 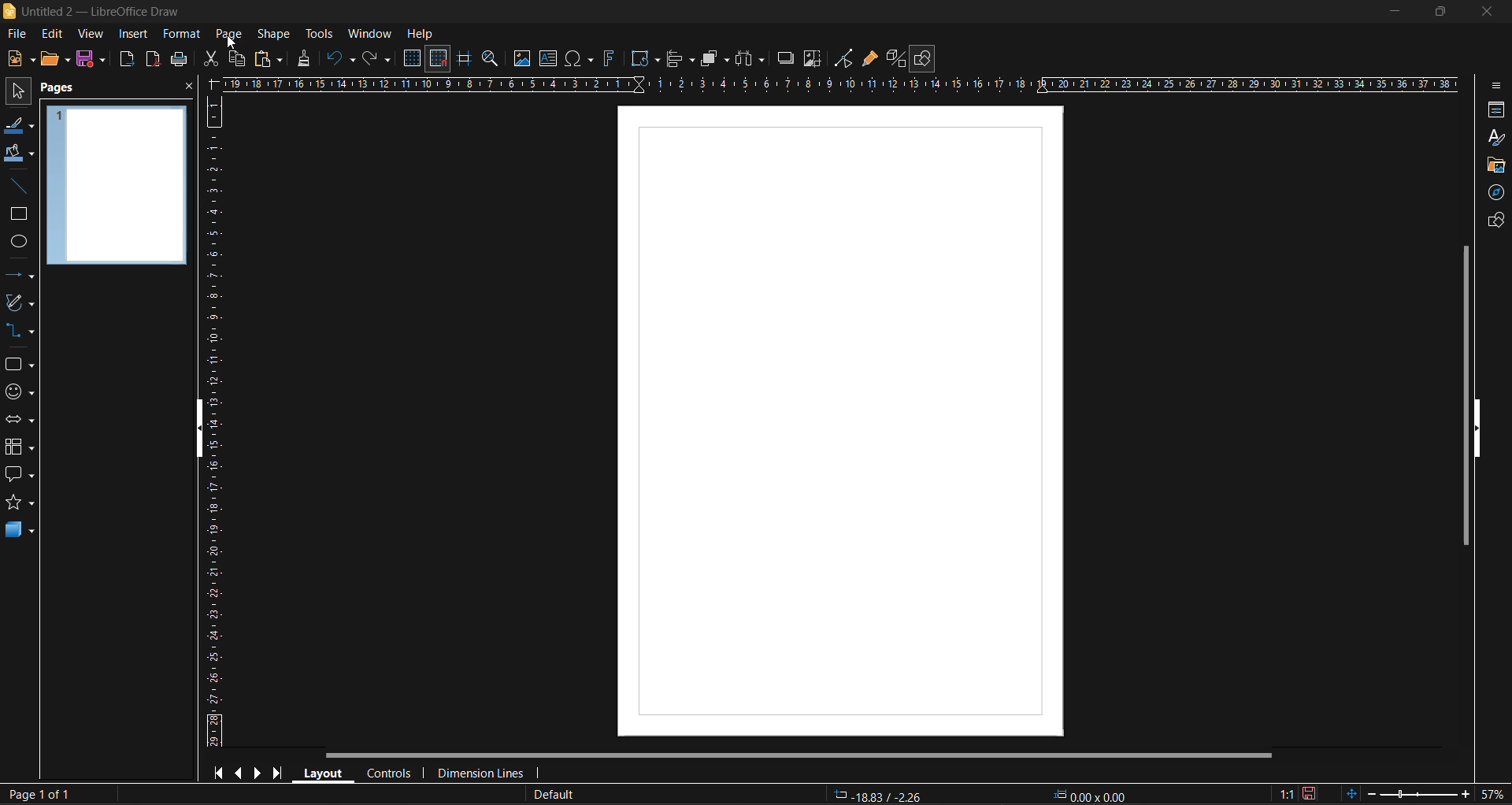 I want to click on page, so click(x=232, y=33).